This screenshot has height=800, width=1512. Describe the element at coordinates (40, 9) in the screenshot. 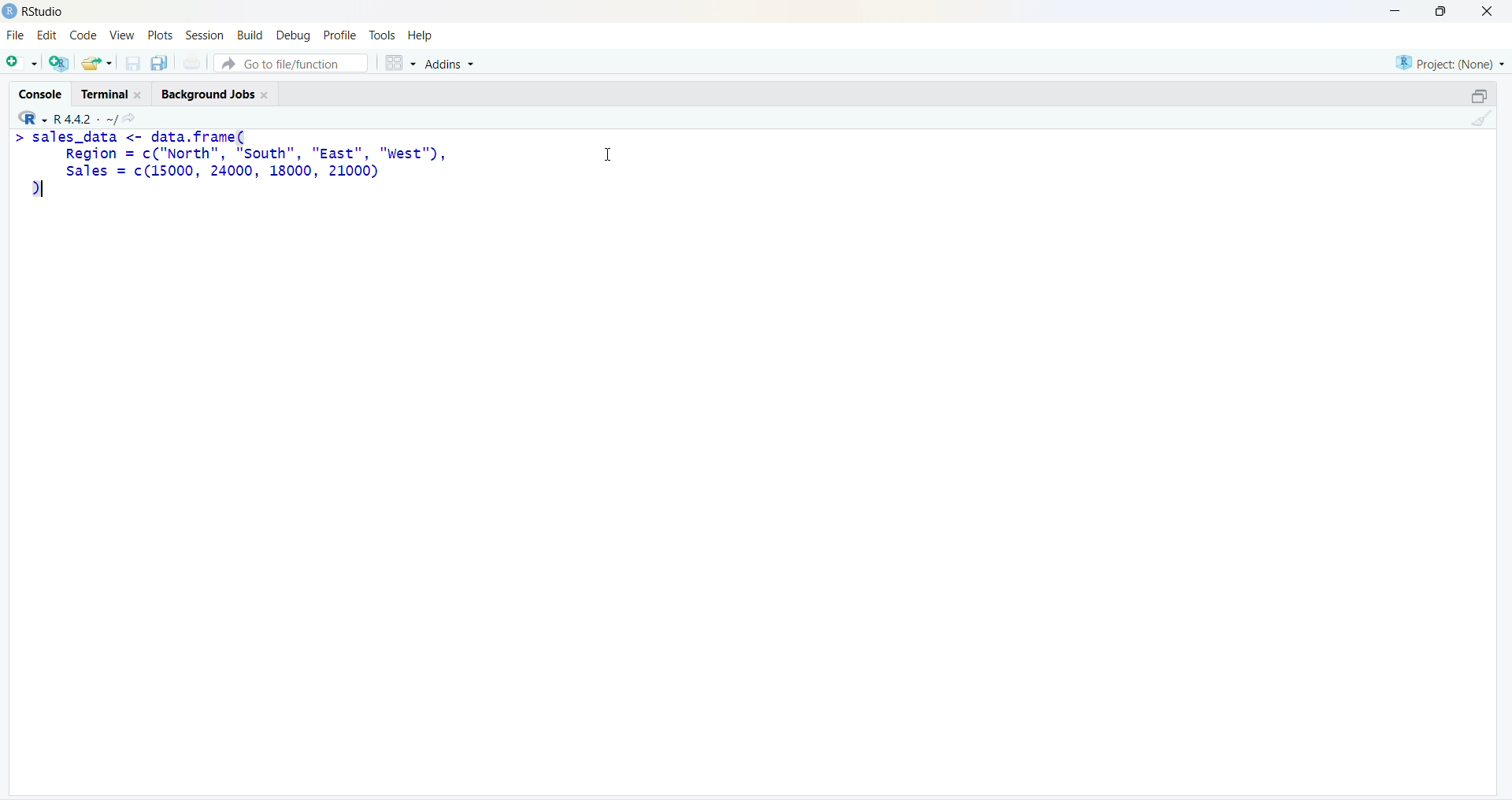

I see `) RStudio` at that location.